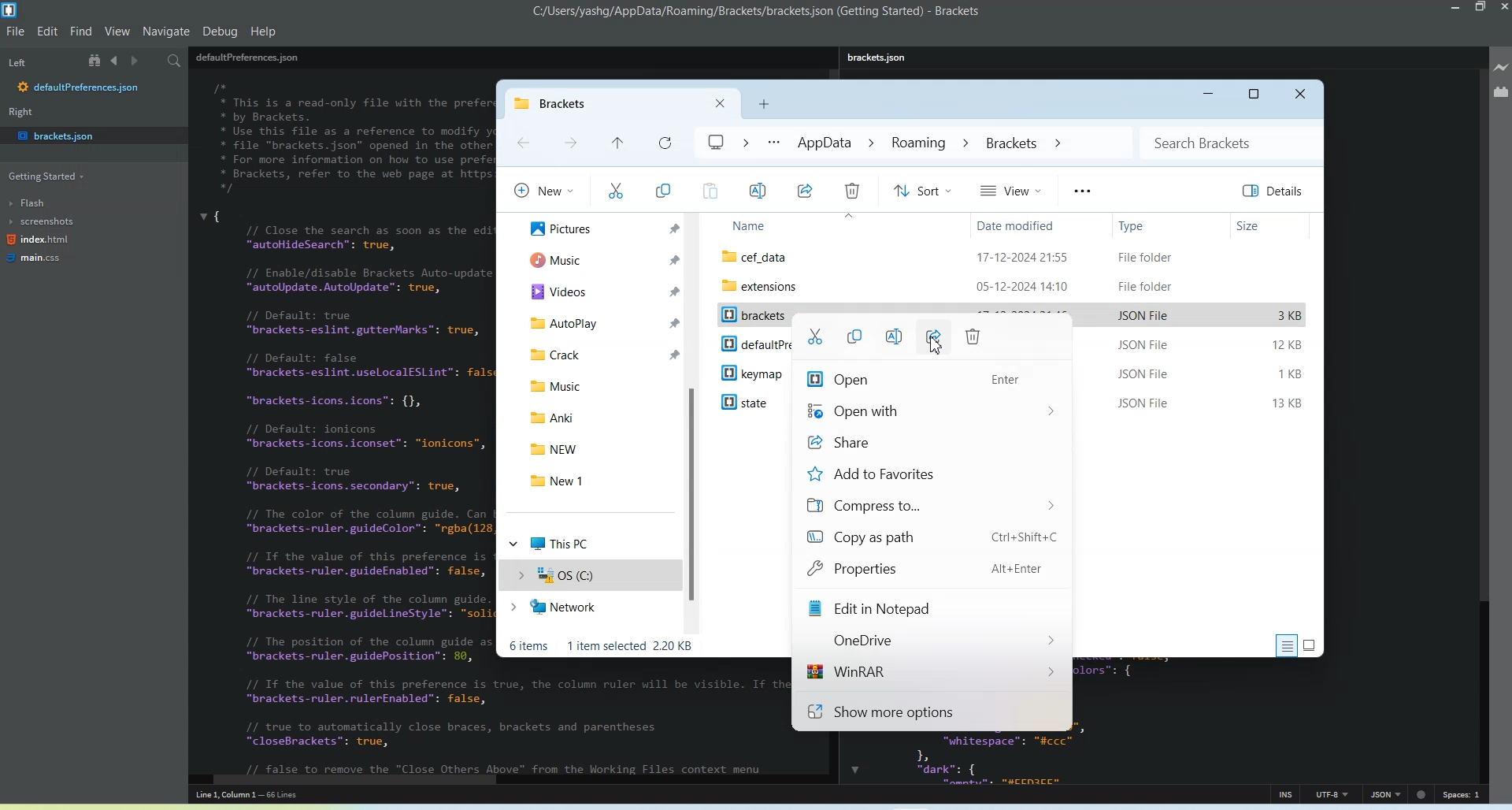 Image resolution: width=1512 pixels, height=810 pixels. I want to click on bracket.json, so click(88, 135).